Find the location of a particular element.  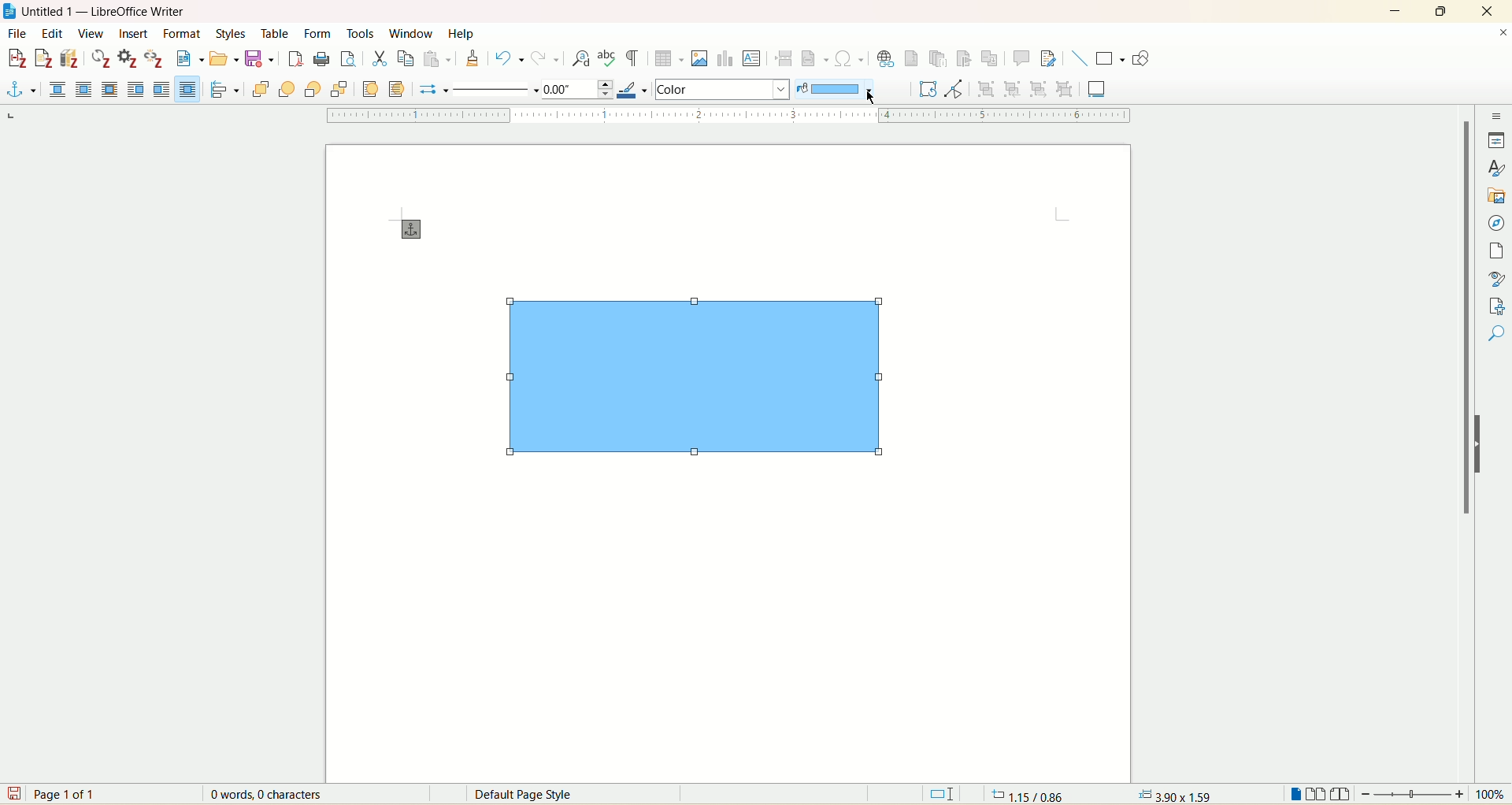

insert chart is located at coordinates (725, 60).